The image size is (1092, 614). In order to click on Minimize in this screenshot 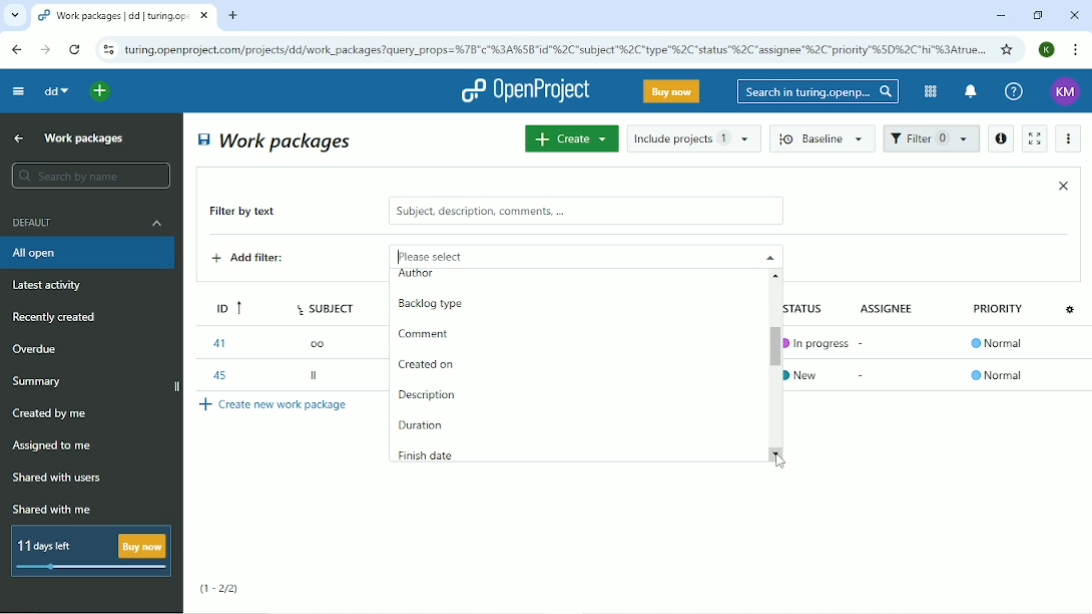, I will do `click(1000, 16)`.